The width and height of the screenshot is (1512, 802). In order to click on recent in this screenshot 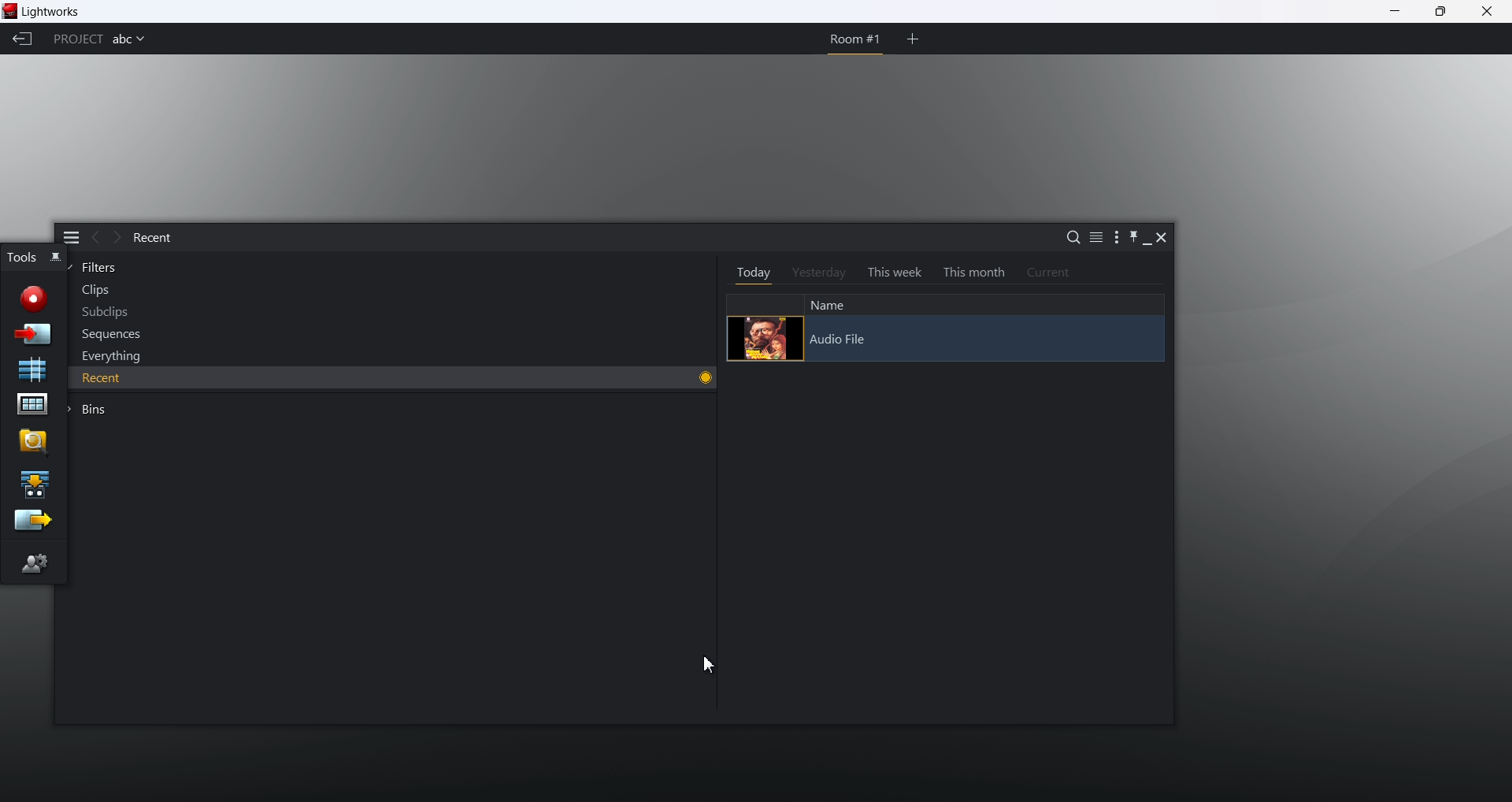, I will do `click(246, 377)`.